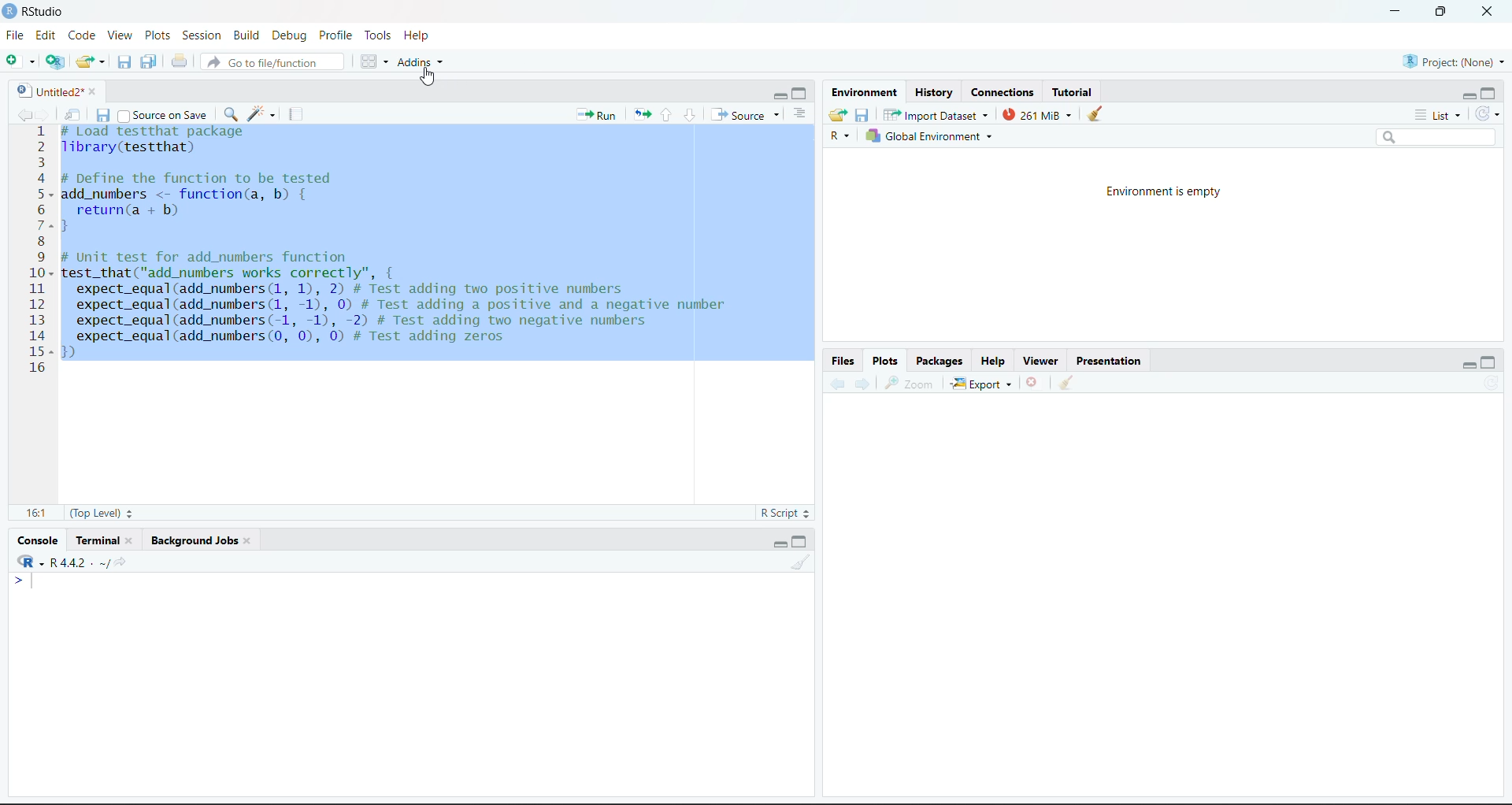 The width and height of the screenshot is (1512, 805). I want to click on code tools, so click(261, 113).